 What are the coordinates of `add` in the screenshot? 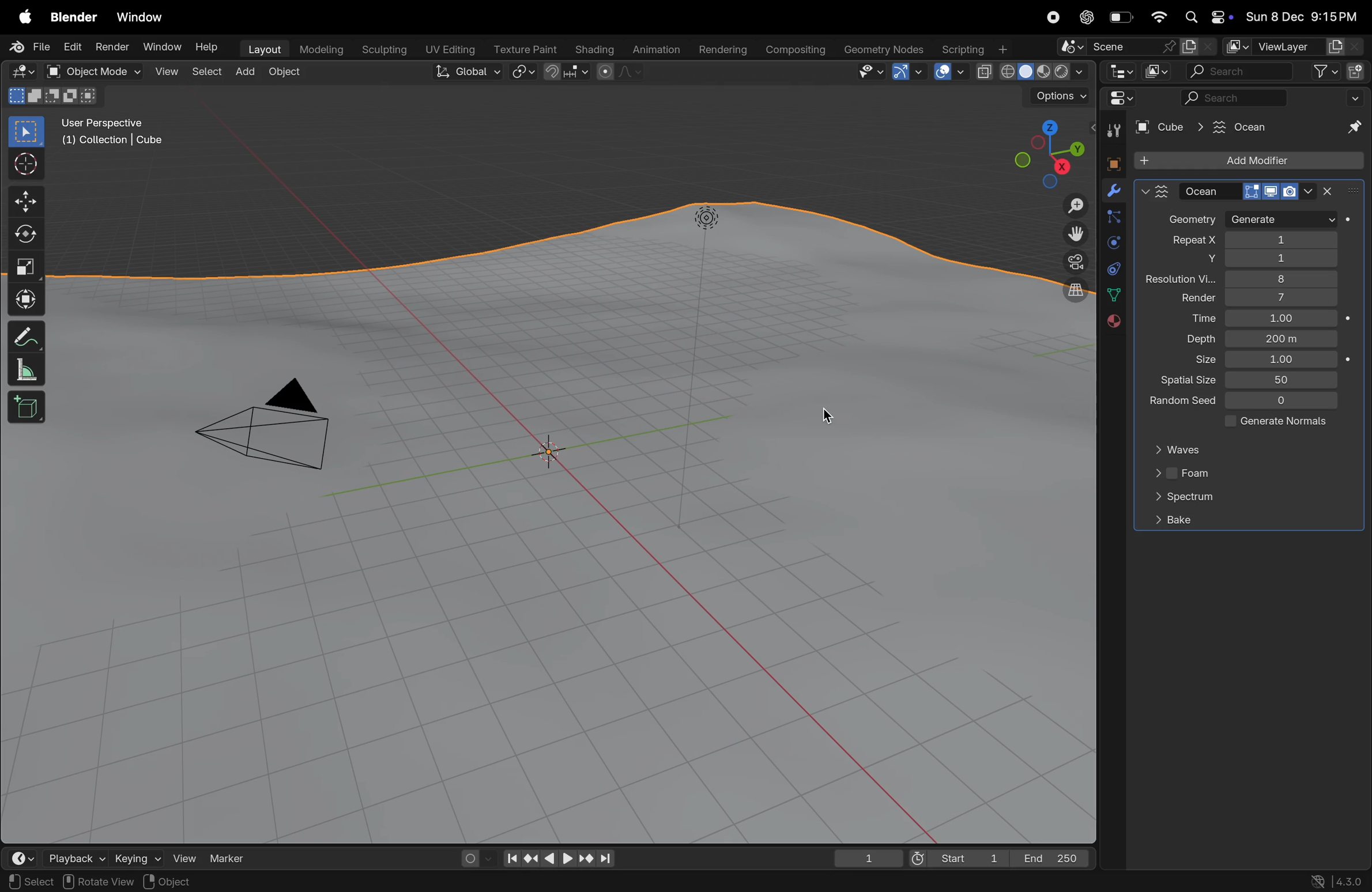 It's located at (249, 72).